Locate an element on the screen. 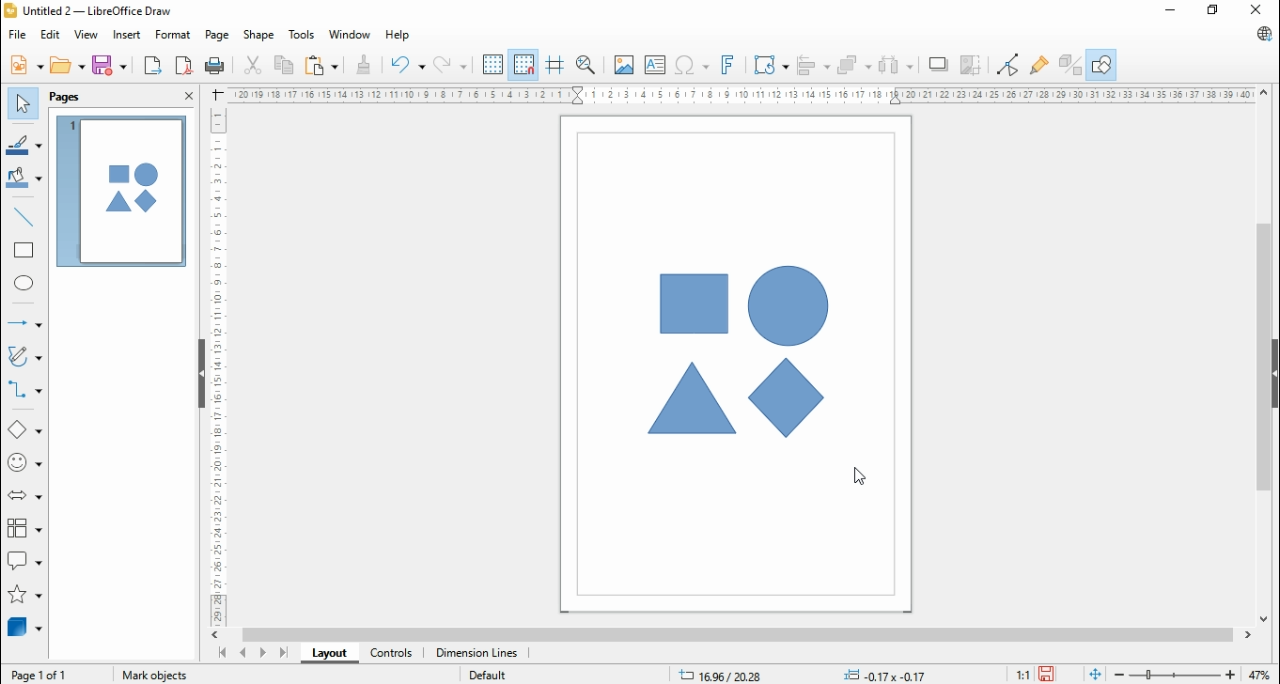 This screenshot has height=684, width=1280. insert special characters is located at coordinates (691, 64).